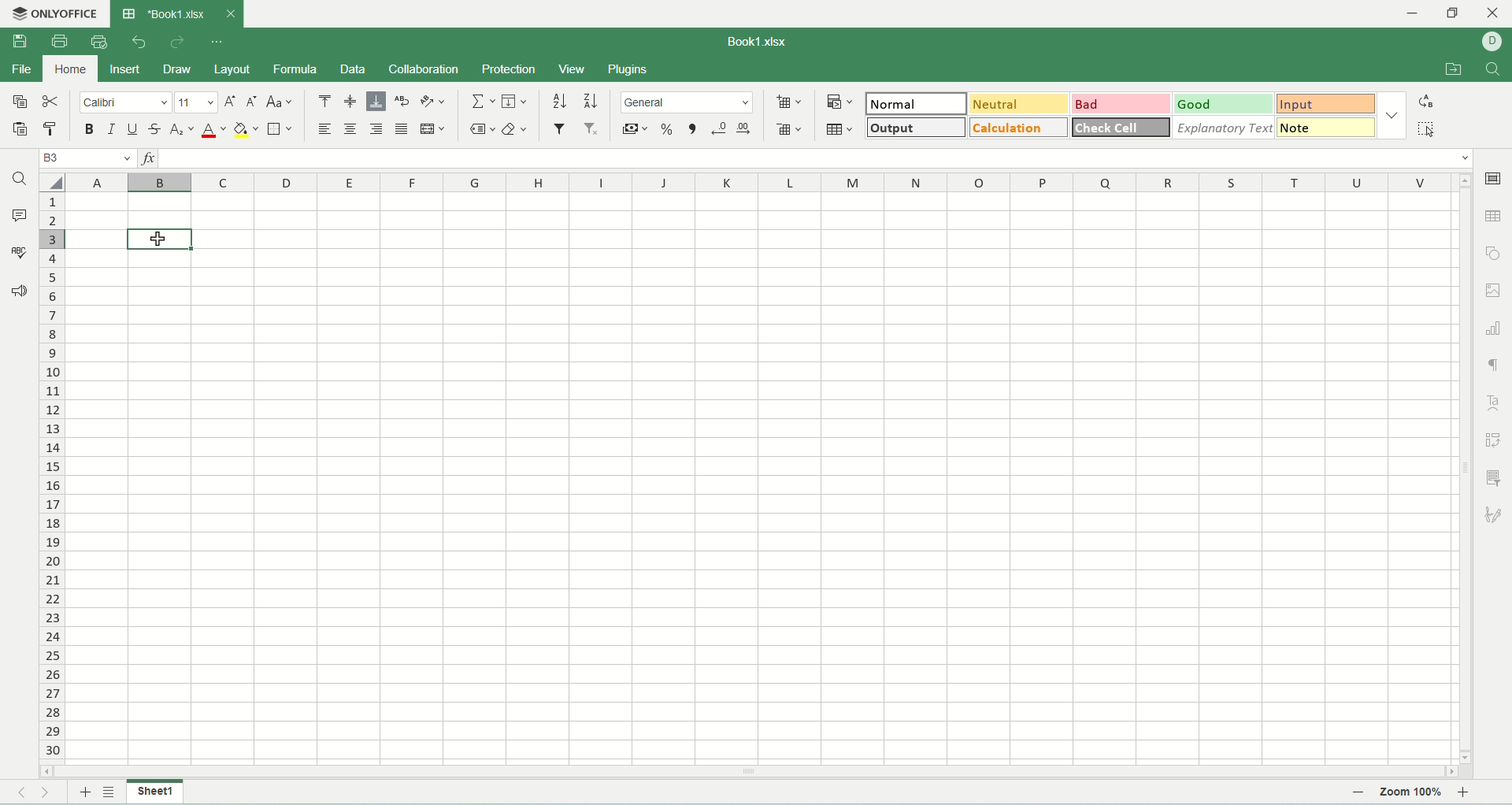 Image resolution: width=1512 pixels, height=805 pixels. I want to click on undo, so click(140, 43).